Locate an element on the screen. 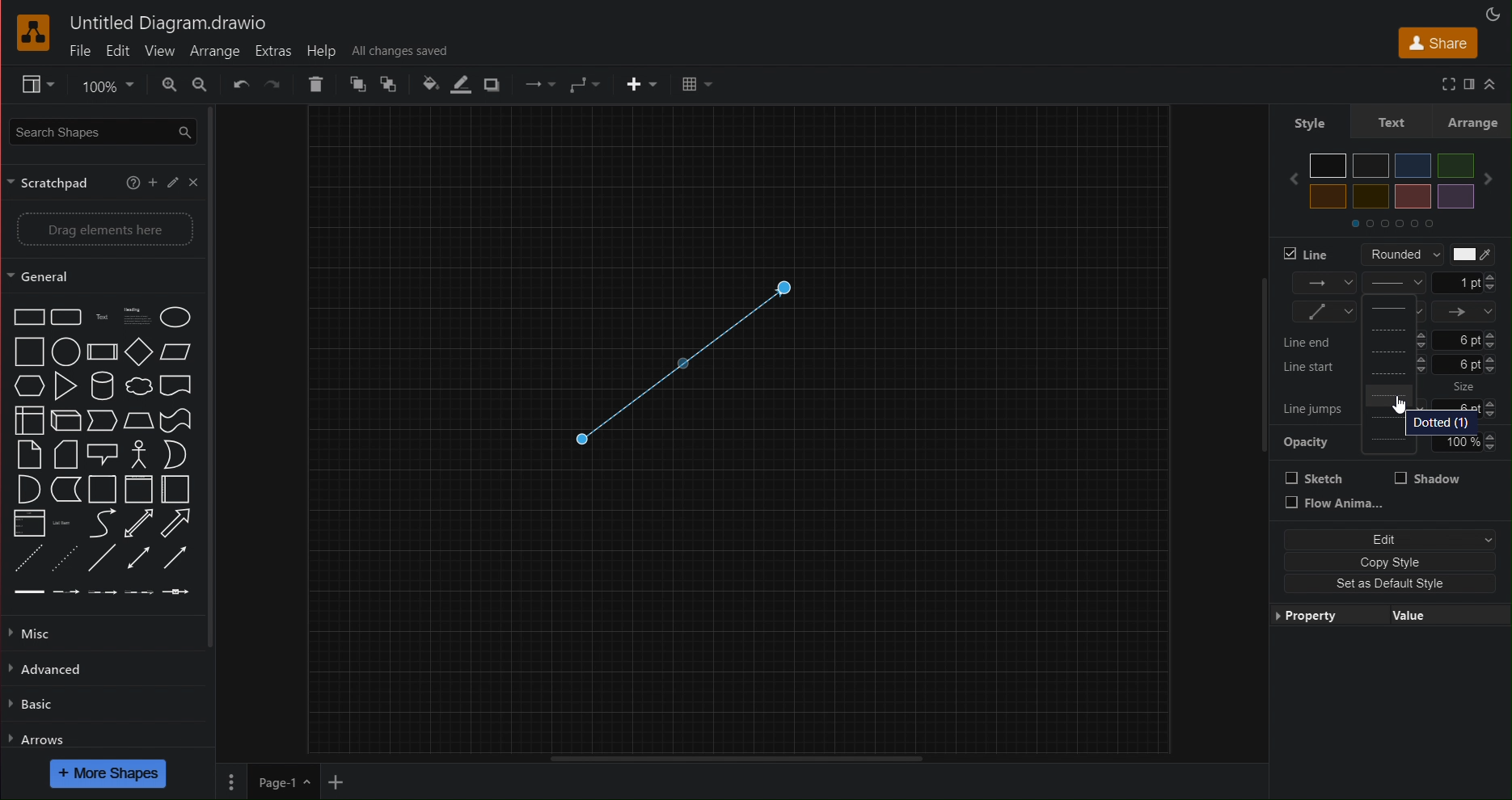   is located at coordinates (1443, 83).